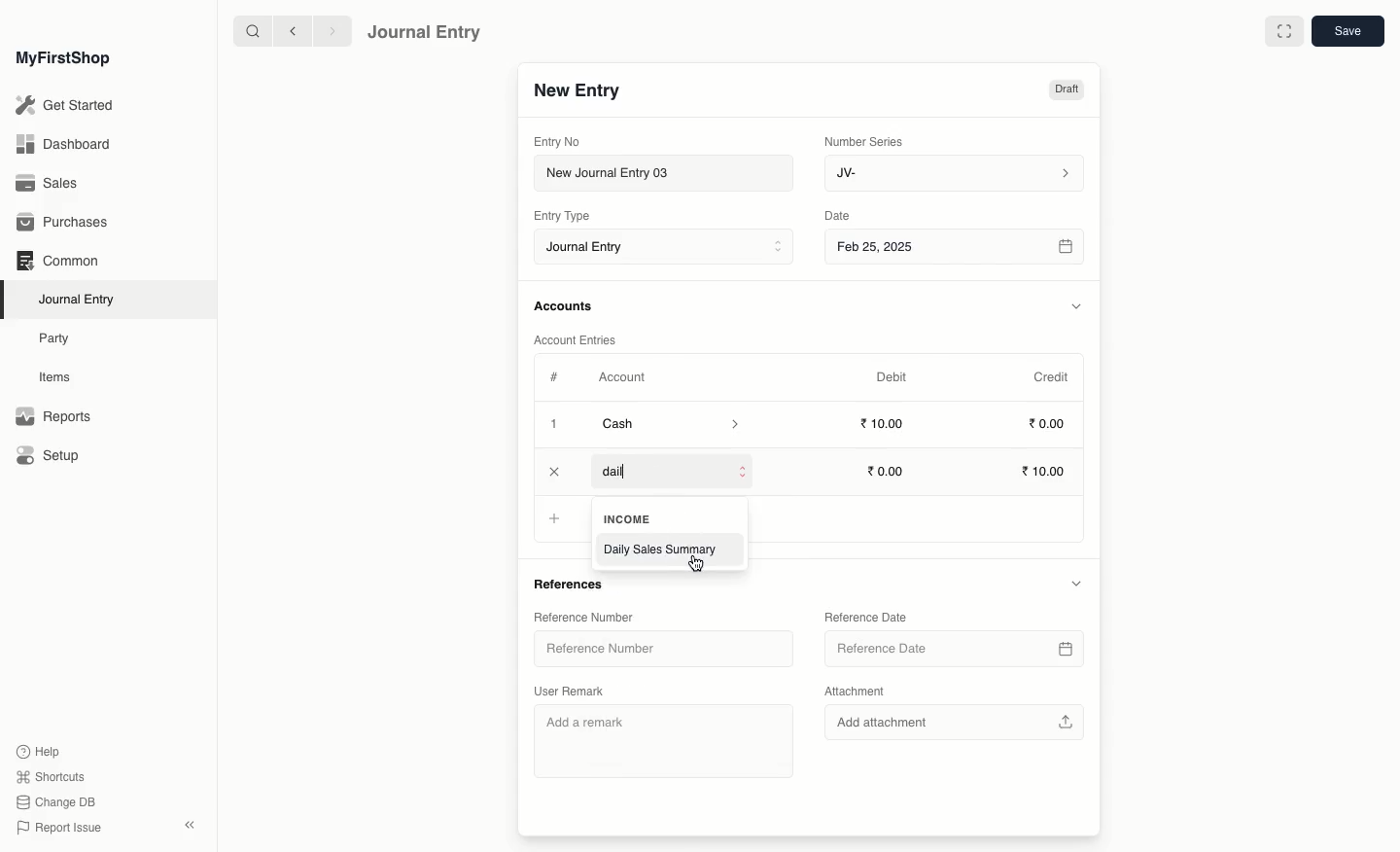 The image size is (1400, 852). What do you see at coordinates (700, 563) in the screenshot?
I see `cursor` at bounding box center [700, 563].